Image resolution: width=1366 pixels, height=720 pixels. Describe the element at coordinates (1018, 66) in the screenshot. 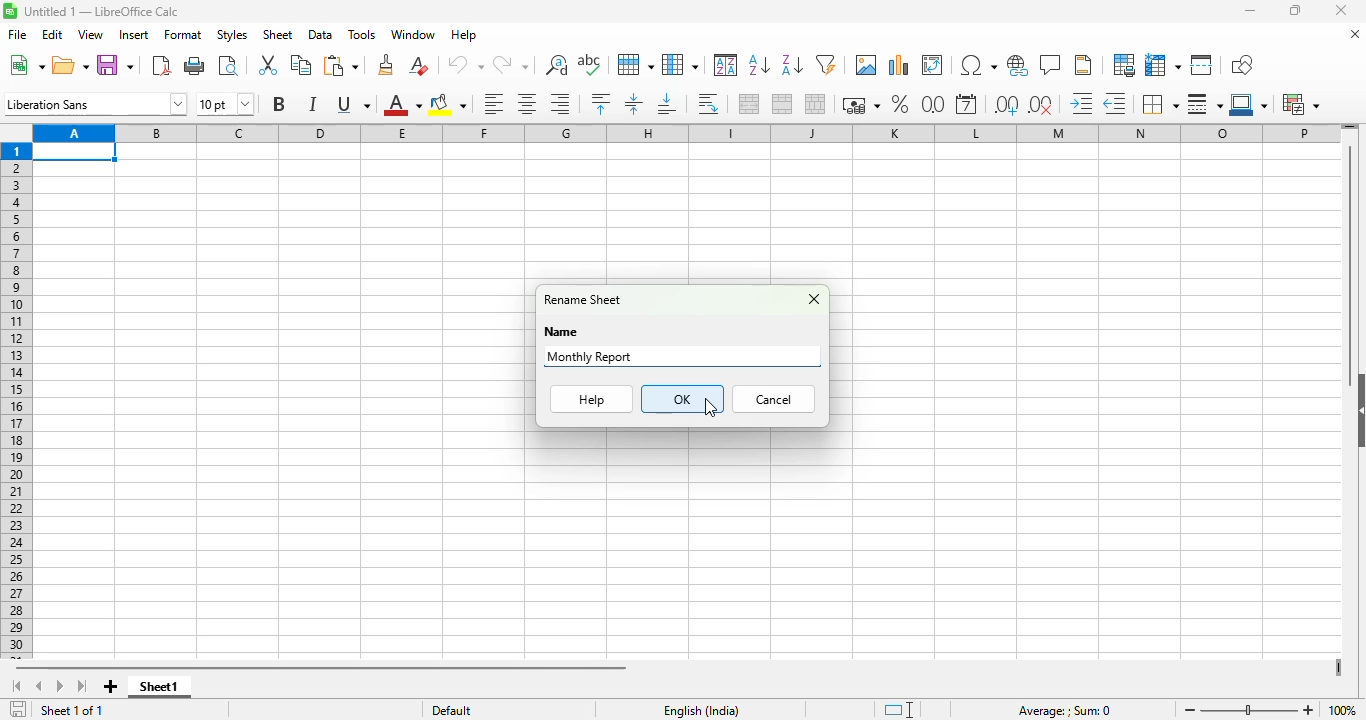

I see `insert hyperlink` at that location.